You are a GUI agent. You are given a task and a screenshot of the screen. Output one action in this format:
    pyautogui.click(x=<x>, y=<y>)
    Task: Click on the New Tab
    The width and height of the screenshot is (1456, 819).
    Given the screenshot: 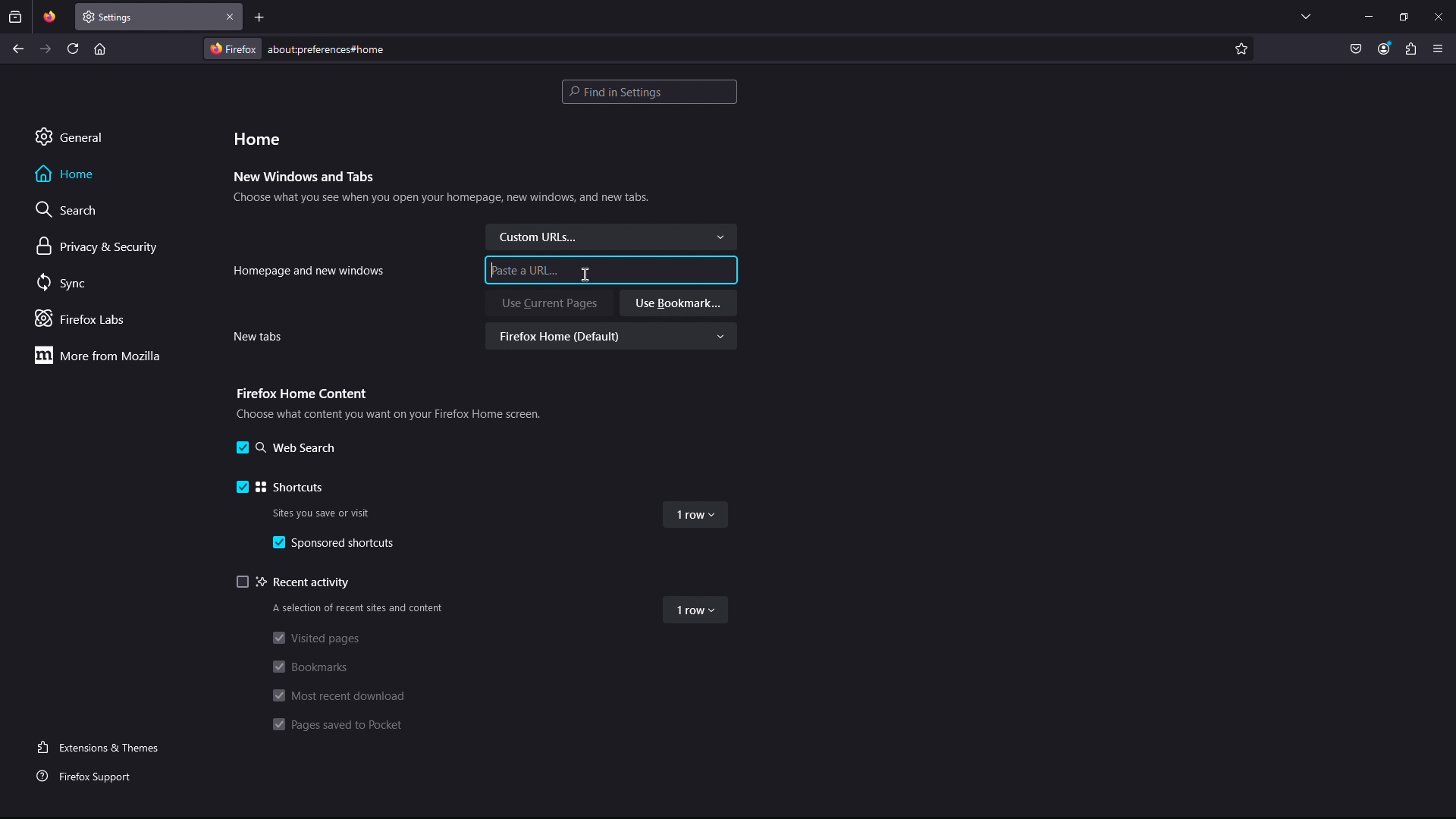 What is the action you would take?
    pyautogui.click(x=148, y=17)
    